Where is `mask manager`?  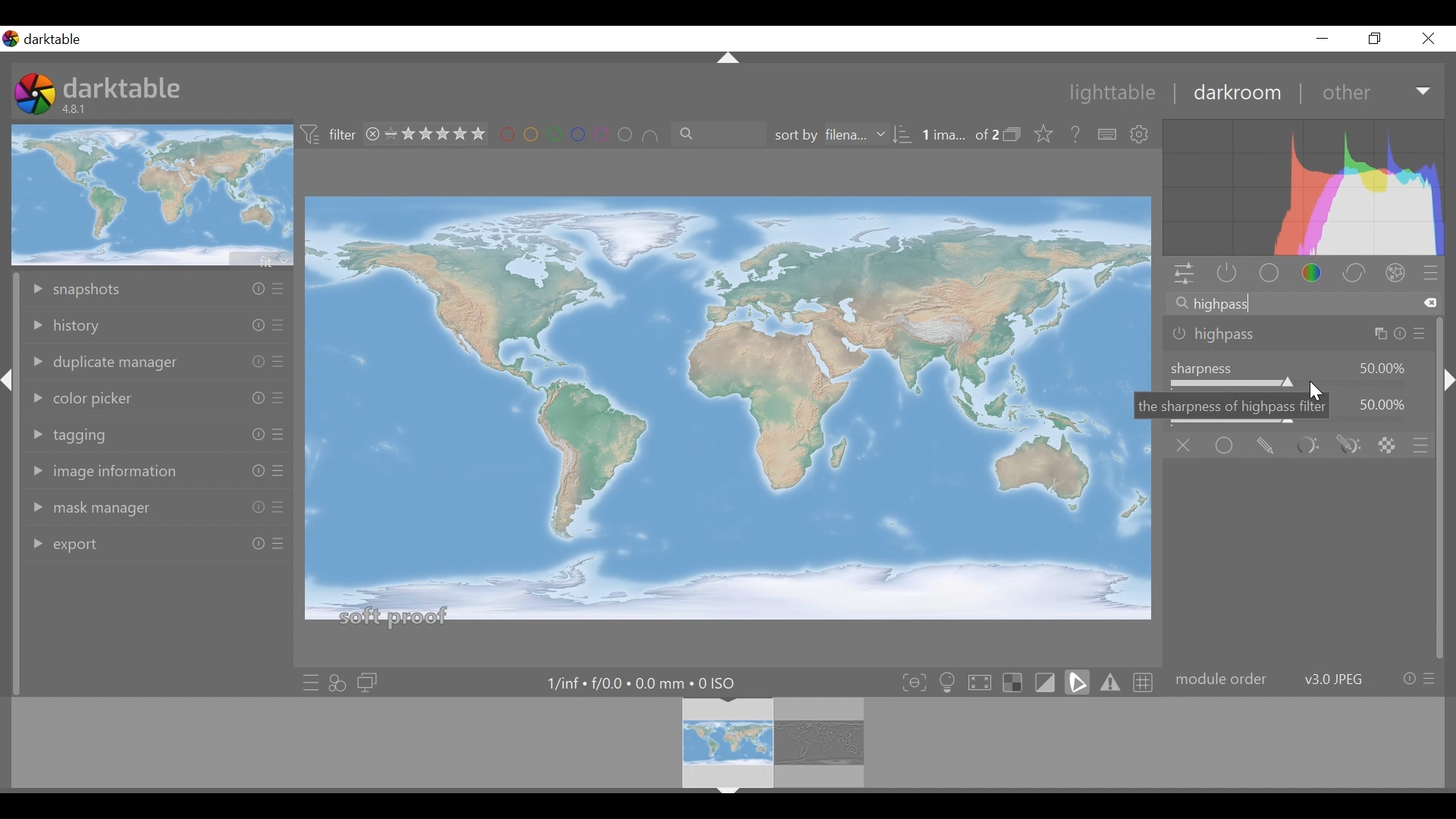 mask manager is located at coordinates (158, 505).